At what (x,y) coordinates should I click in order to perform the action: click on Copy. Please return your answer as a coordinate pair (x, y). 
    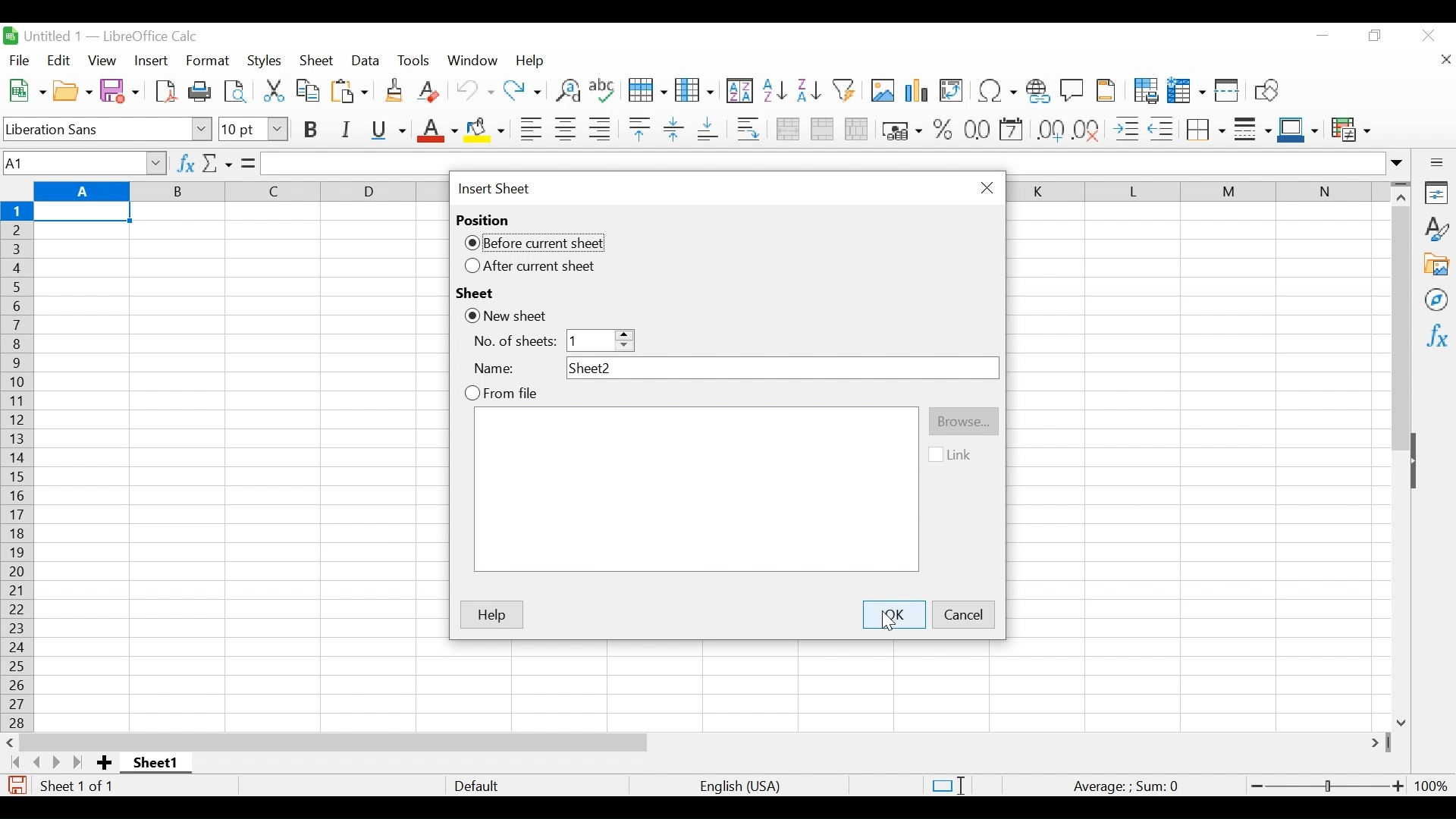
    Looking at the image, I should click on (308, 89).